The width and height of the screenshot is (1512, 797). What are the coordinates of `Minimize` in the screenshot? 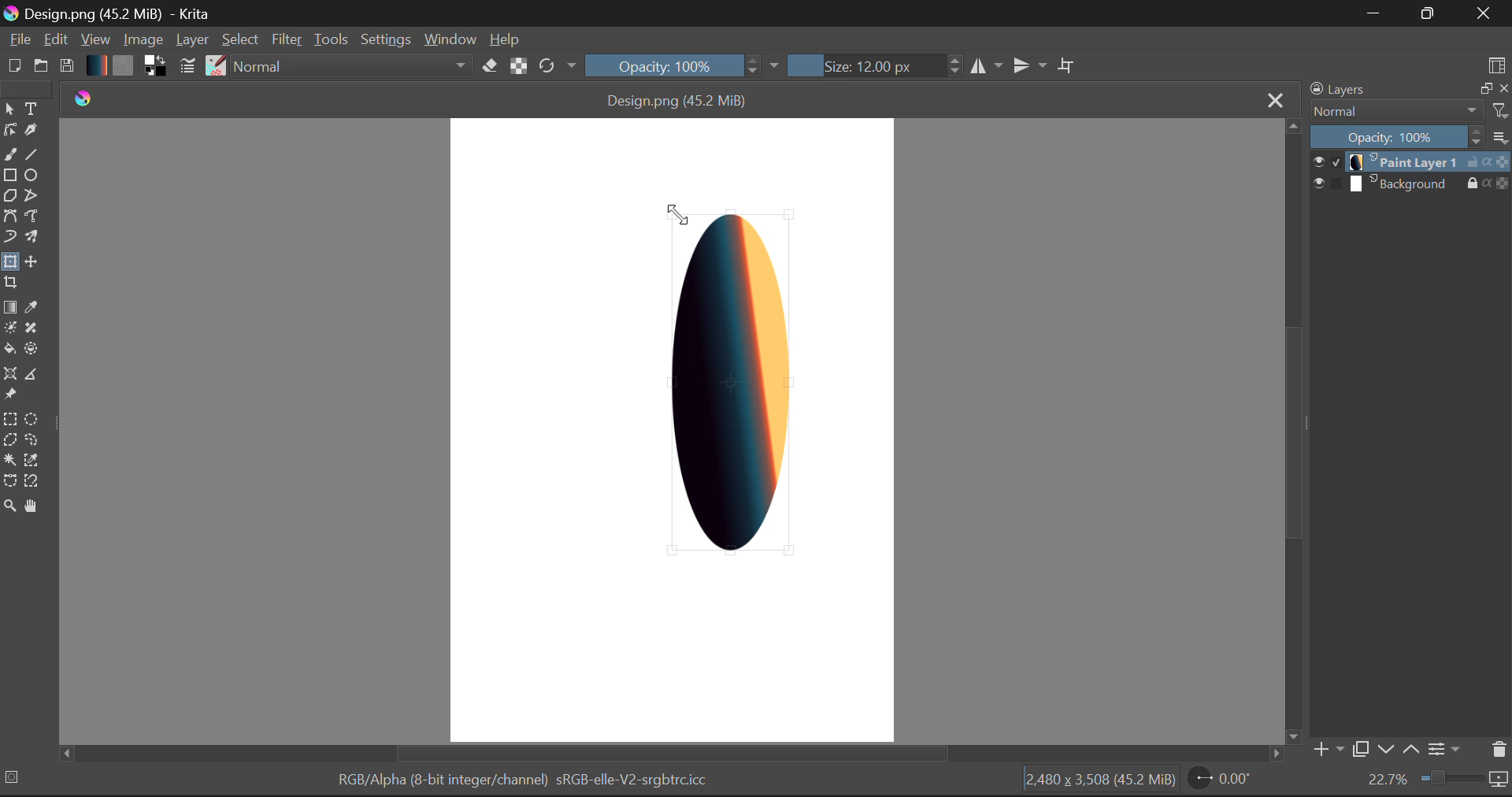 It's located at (1431, 14).